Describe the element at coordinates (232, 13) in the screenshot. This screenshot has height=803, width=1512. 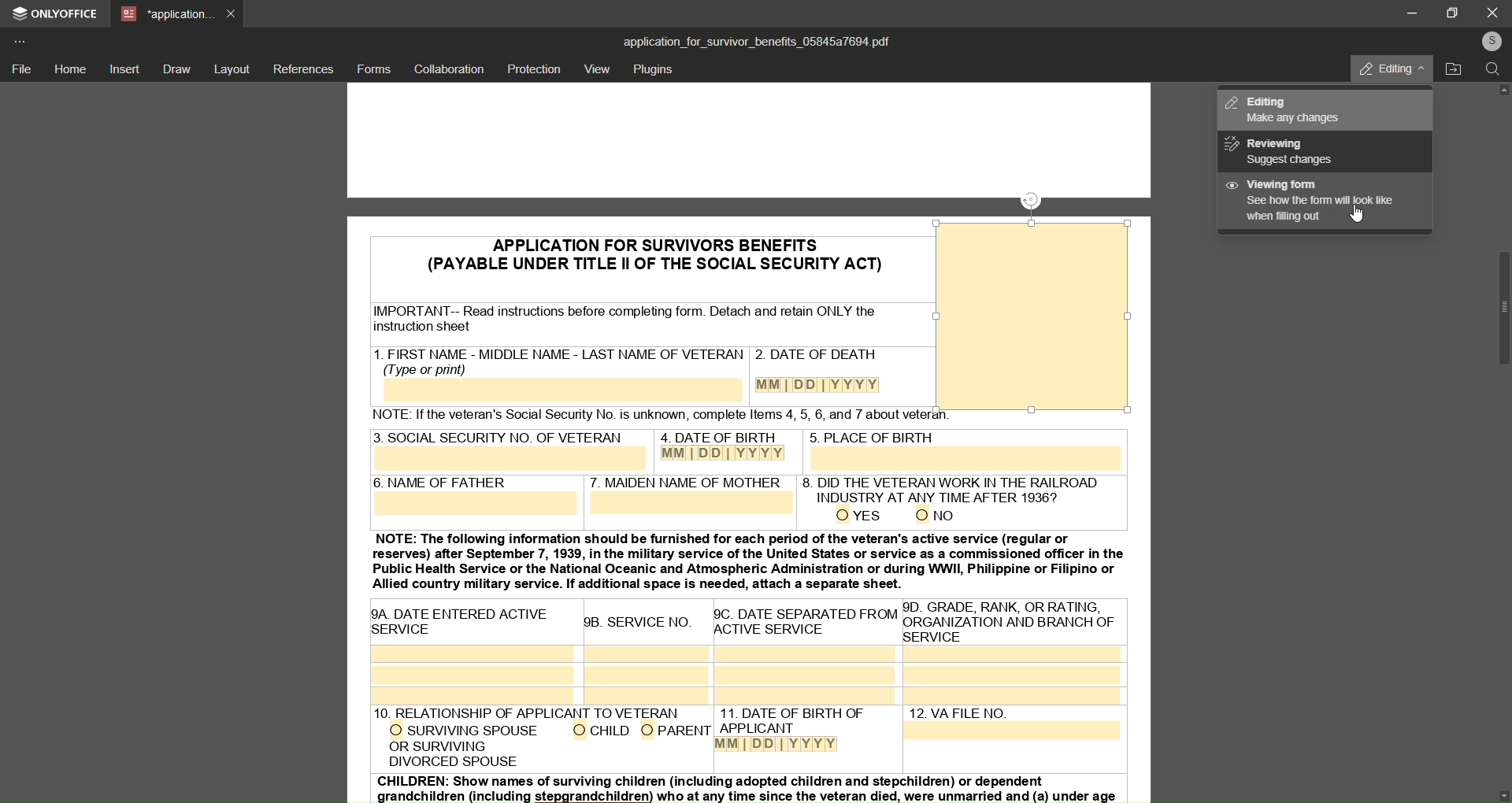
I see `close tab` at that location.